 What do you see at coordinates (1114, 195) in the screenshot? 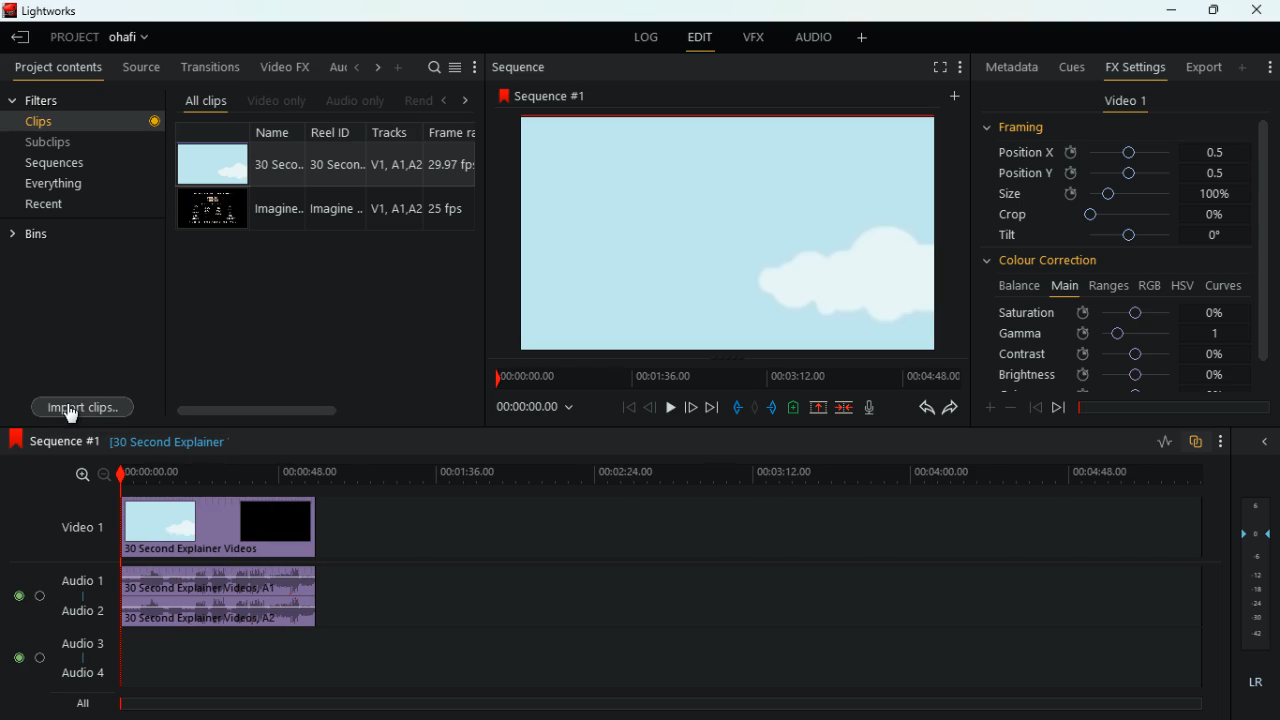
I see `size` at bounding box center [1114, 195].